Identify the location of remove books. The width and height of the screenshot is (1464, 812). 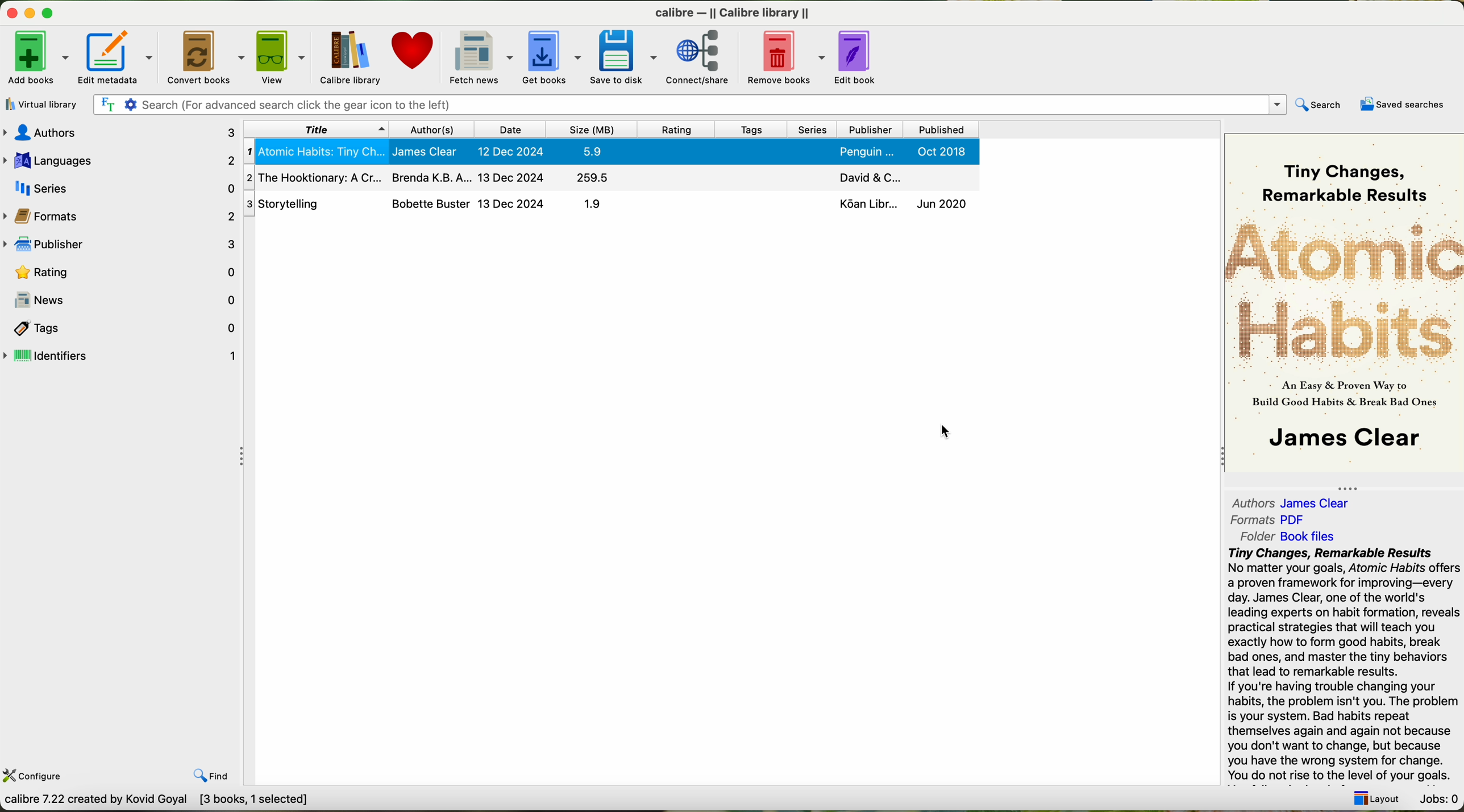
(788, 56).